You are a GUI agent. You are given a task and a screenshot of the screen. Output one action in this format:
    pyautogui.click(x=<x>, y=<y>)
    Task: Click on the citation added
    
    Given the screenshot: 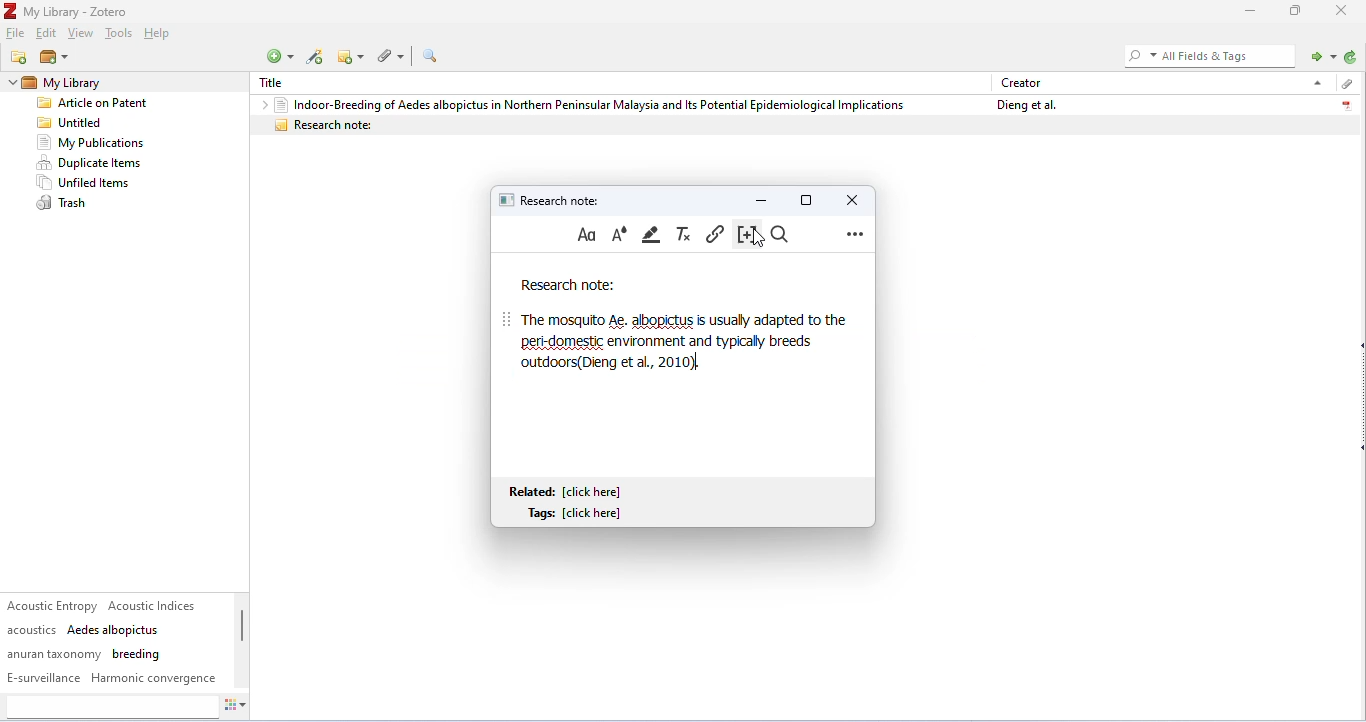 What is the action you would take?
    pyautogui.click(x=613, y=366)
    